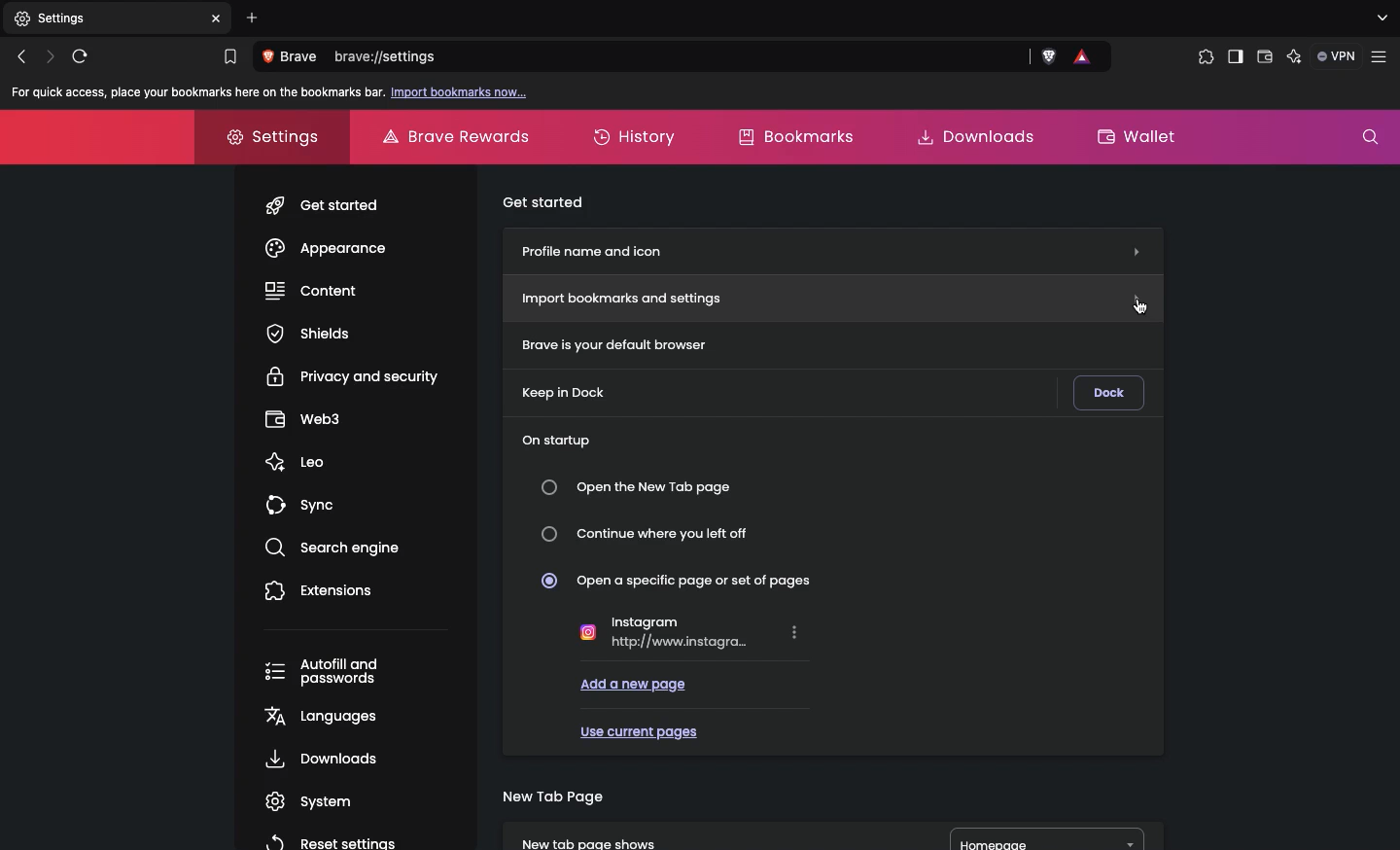 This screenshot has width=1400, height=850. I want to click on brave://settings, so click(682, 58).